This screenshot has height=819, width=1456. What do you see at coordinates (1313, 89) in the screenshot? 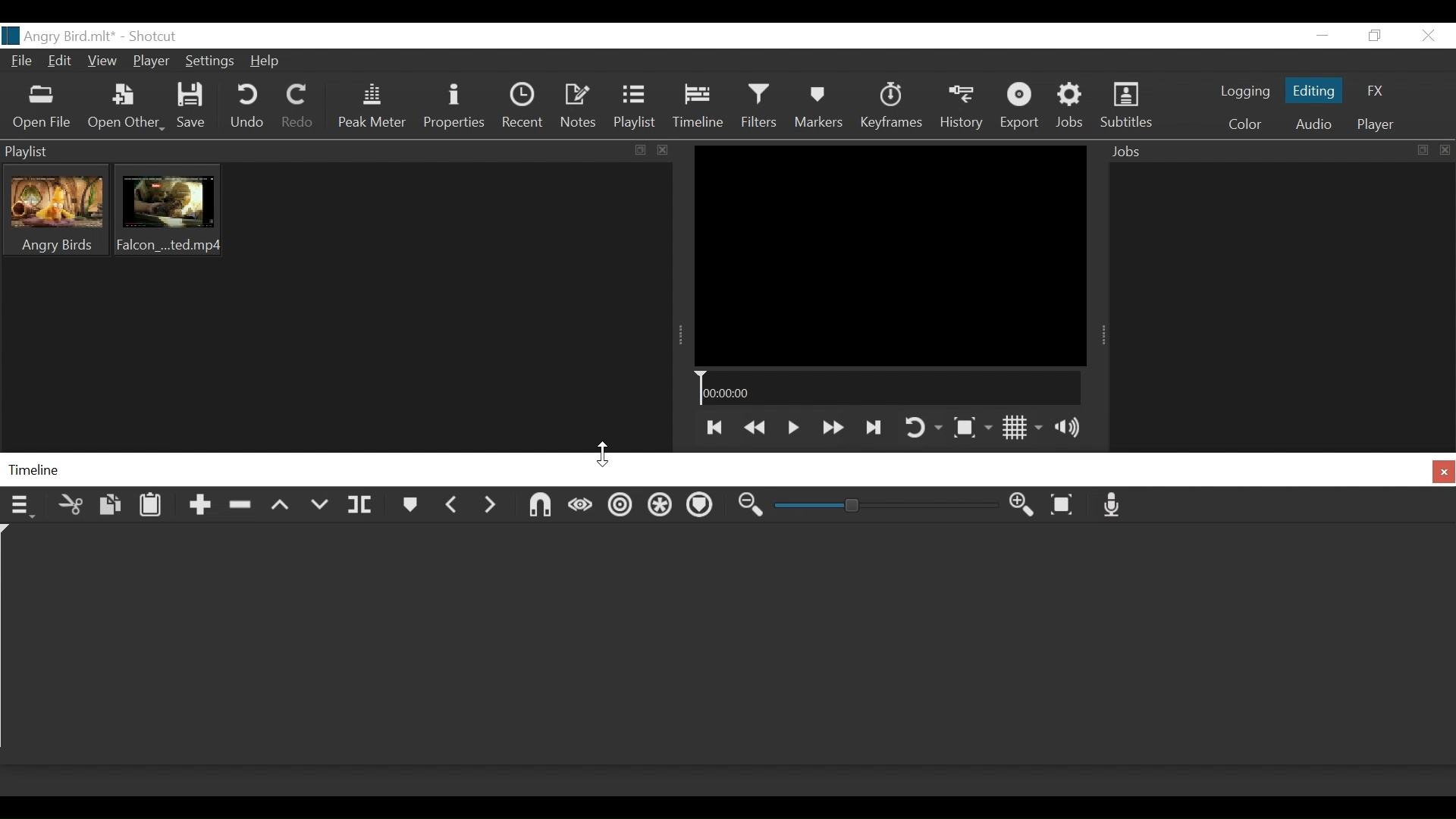
I see `Editing` at bounding box center [1313, 89].